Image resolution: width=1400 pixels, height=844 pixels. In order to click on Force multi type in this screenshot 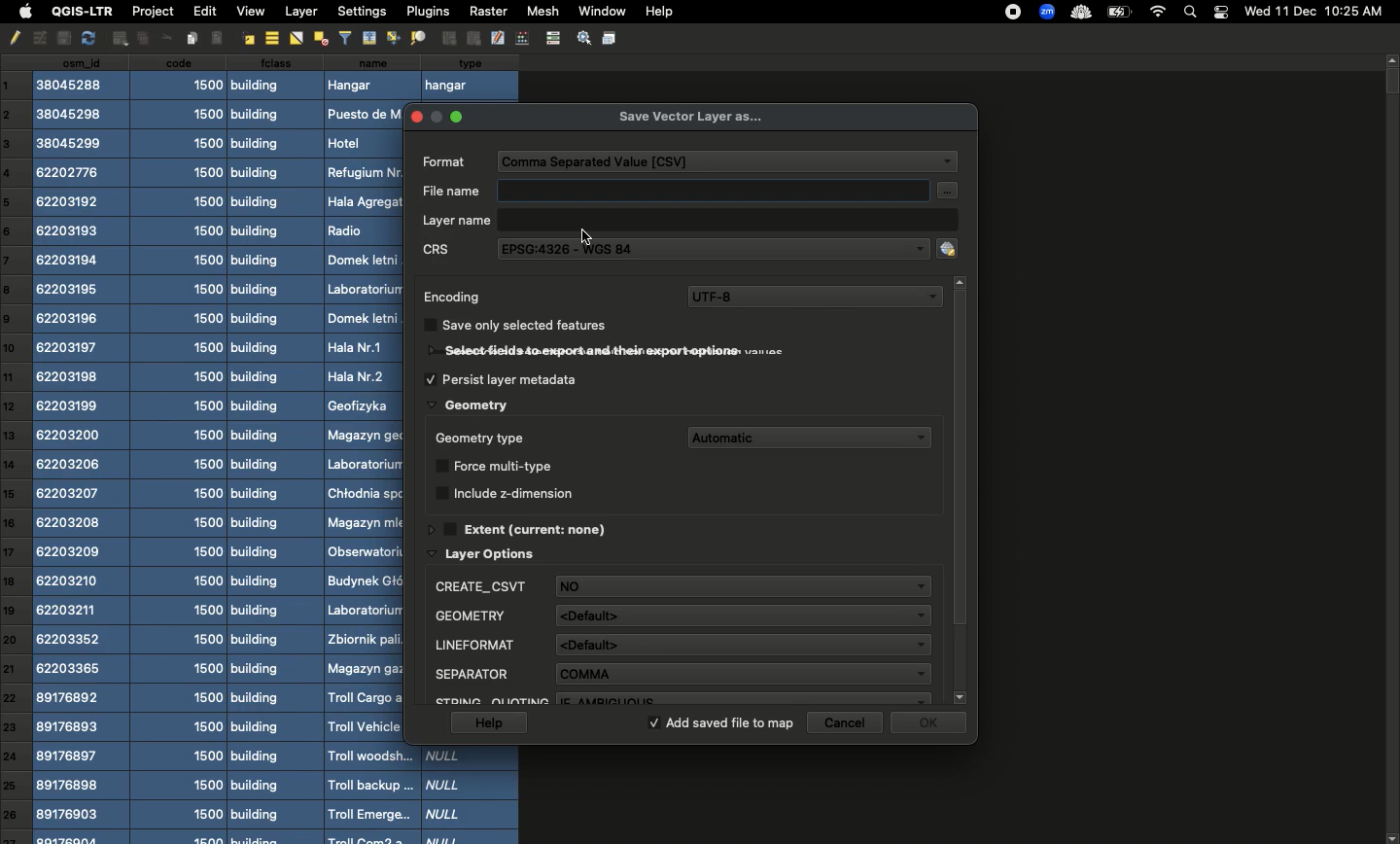, I will do `click(506, 462)`.